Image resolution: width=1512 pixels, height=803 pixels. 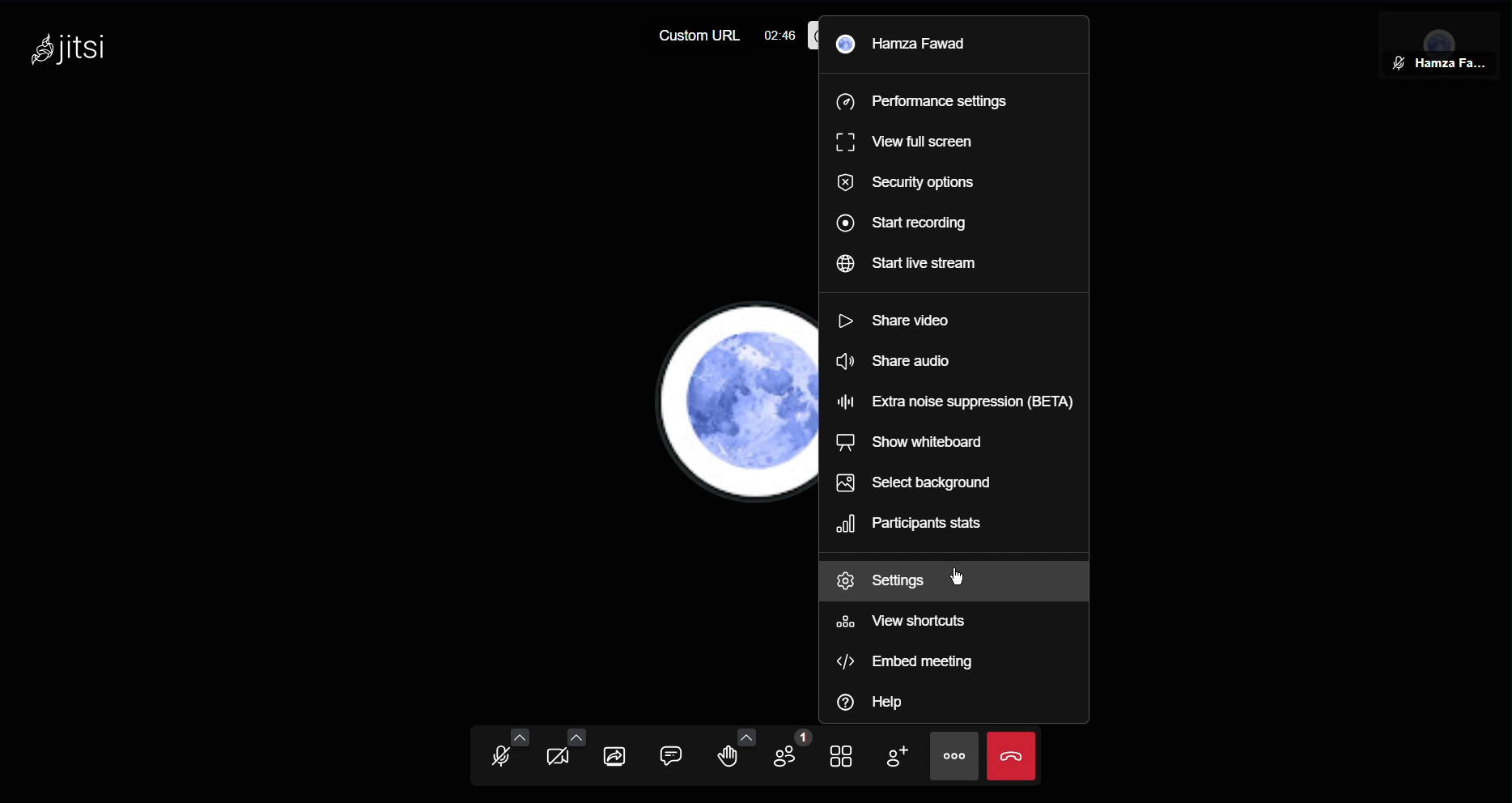 What do you see at coordinates (737, 400) in the screenshot?
I see `Account Profile Picture` at bounding box center [737, 400].